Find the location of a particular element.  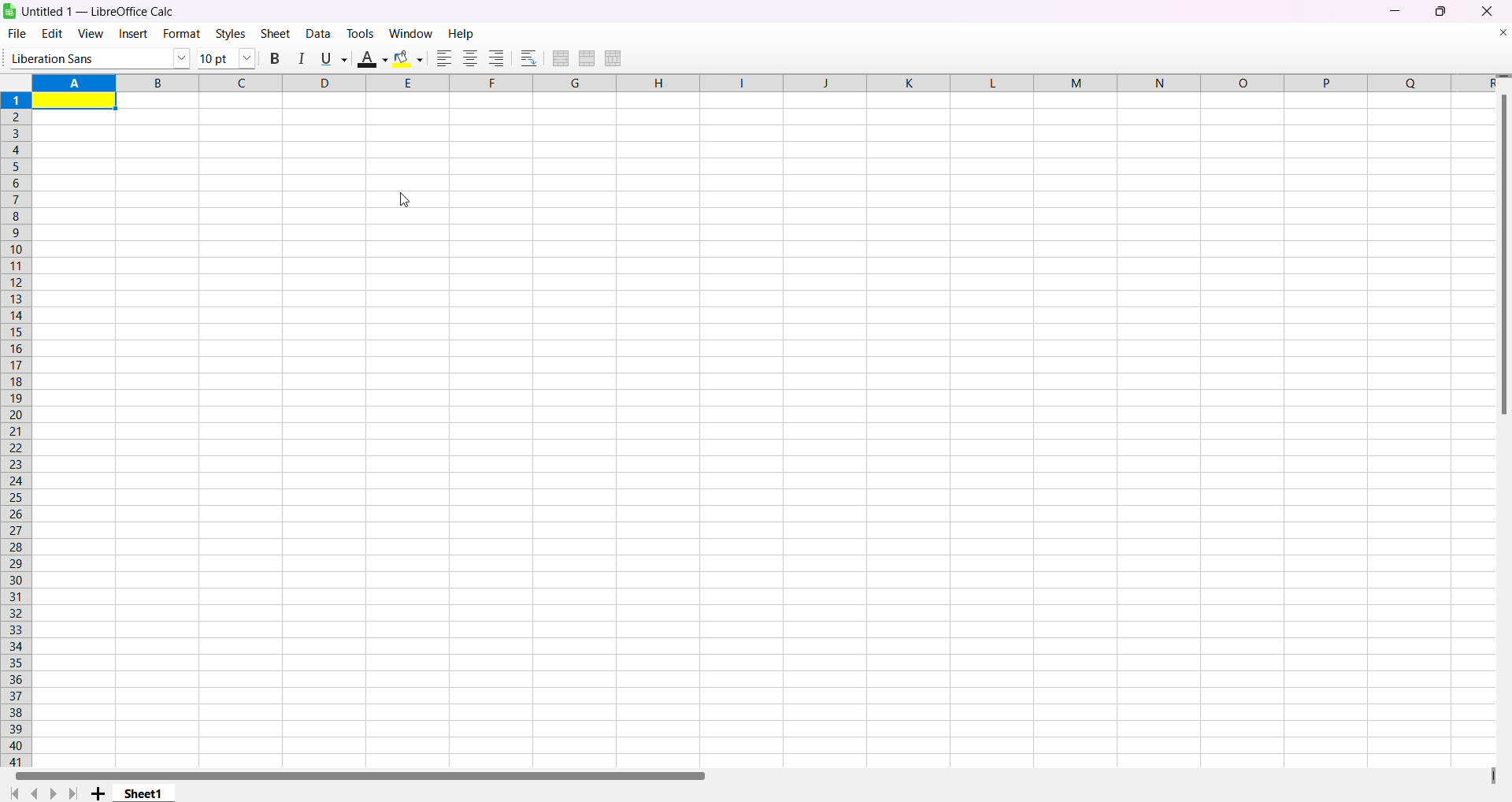

first is located at coordinates (12, 792).